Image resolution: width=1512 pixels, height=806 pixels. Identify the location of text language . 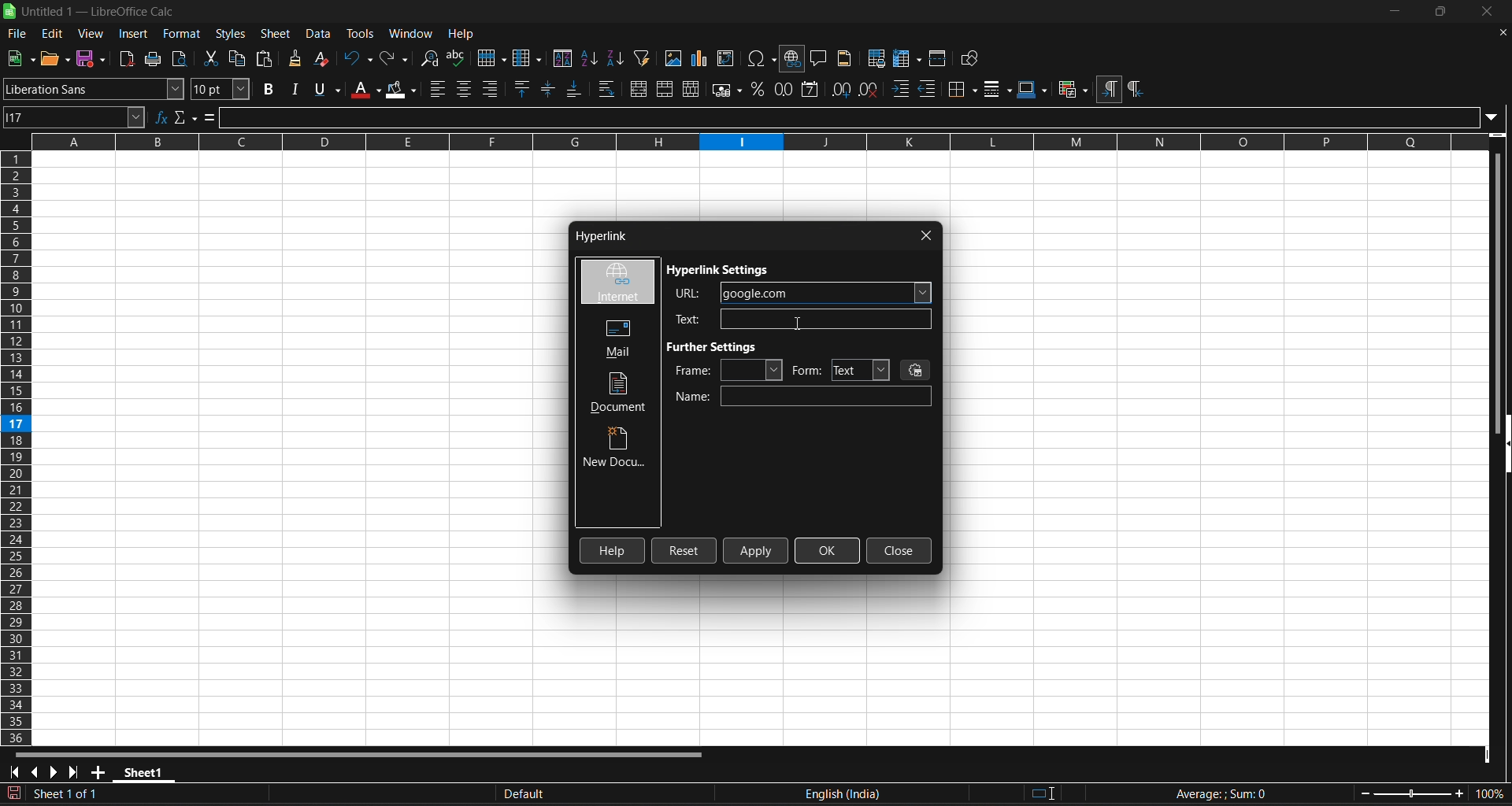
(904, 794).